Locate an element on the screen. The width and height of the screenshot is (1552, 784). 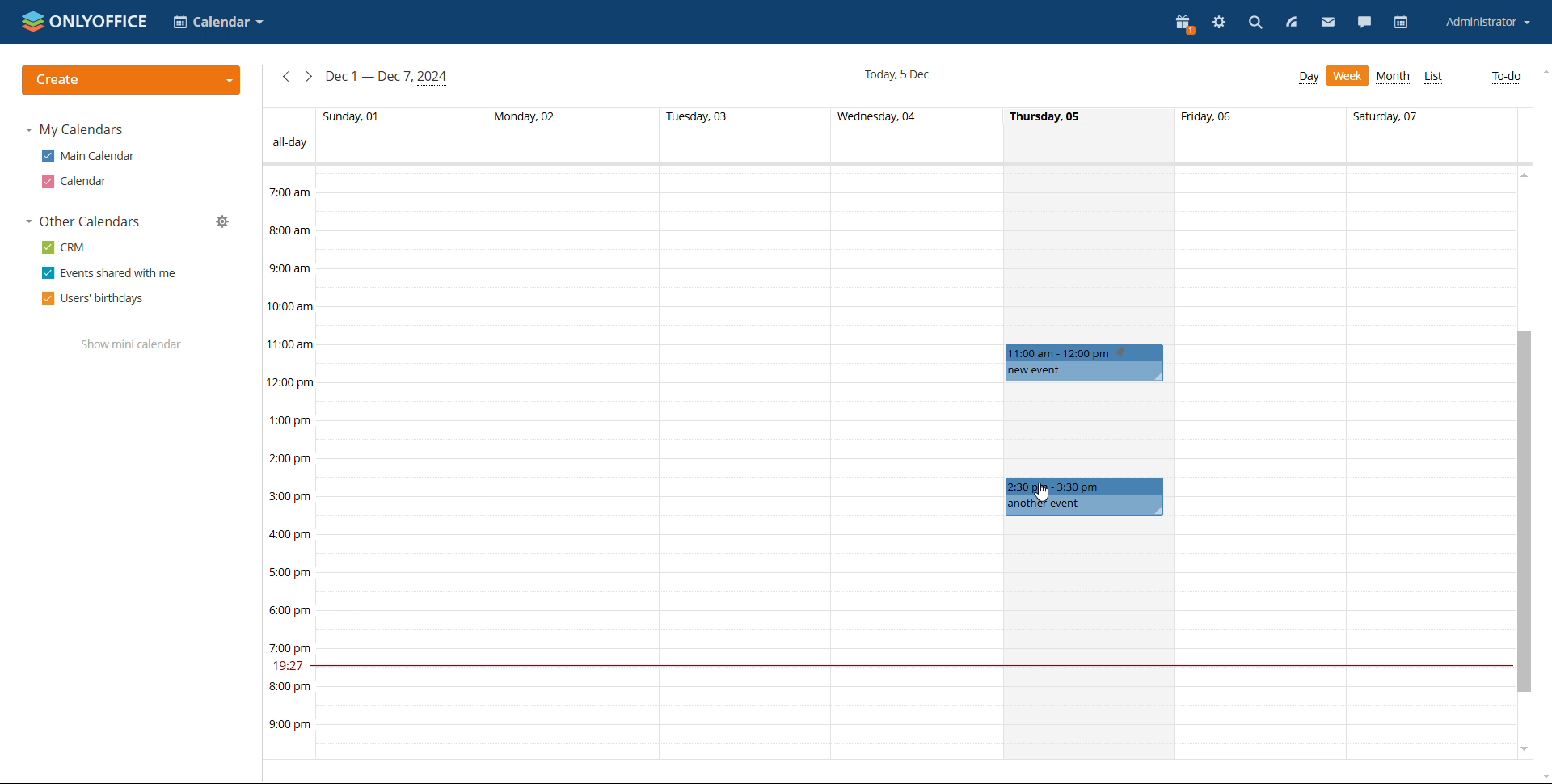
day view is located at coordinates (1347, 75).